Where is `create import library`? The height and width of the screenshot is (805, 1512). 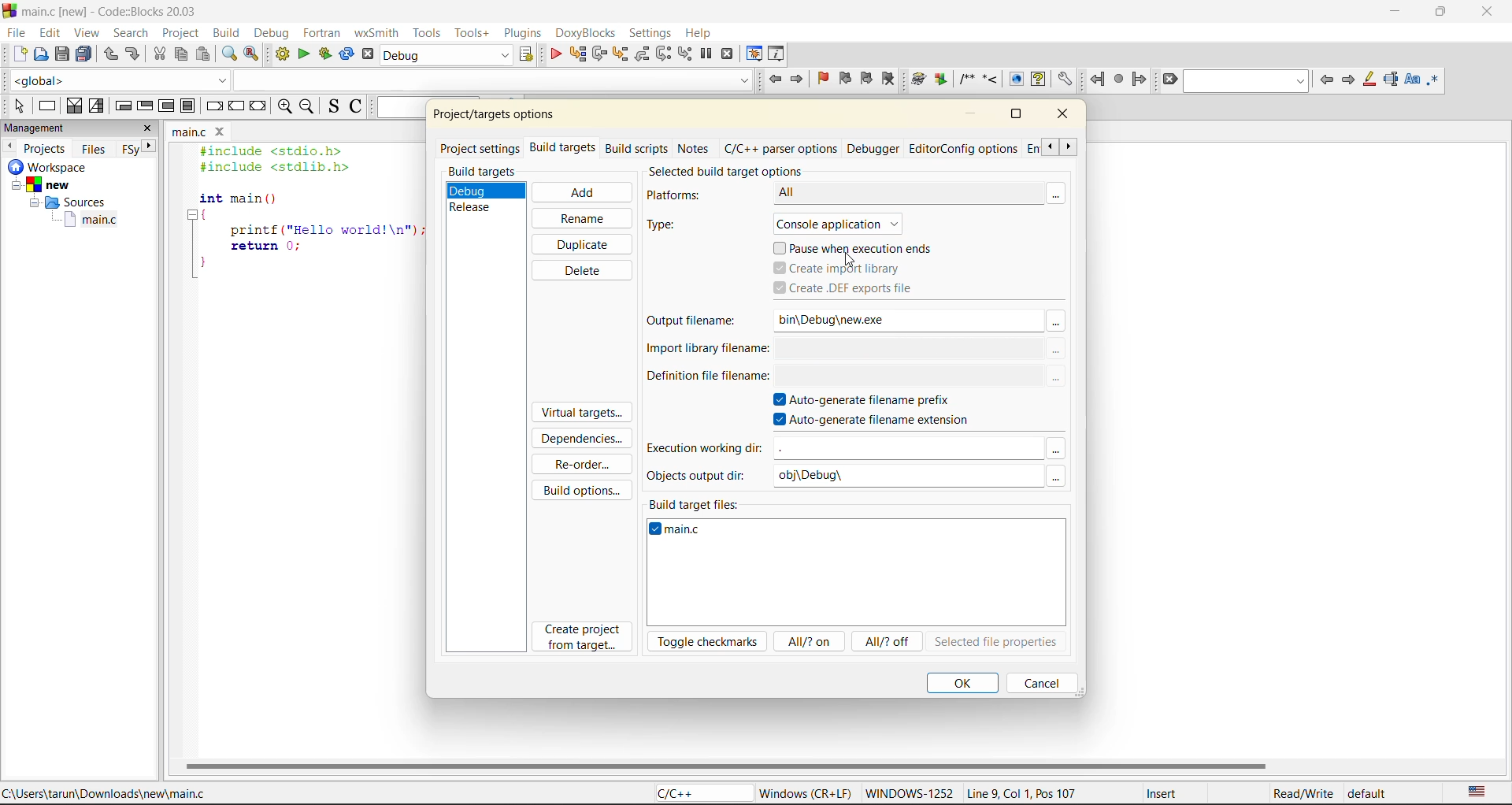 create import library is located at coordinates (840, 268).